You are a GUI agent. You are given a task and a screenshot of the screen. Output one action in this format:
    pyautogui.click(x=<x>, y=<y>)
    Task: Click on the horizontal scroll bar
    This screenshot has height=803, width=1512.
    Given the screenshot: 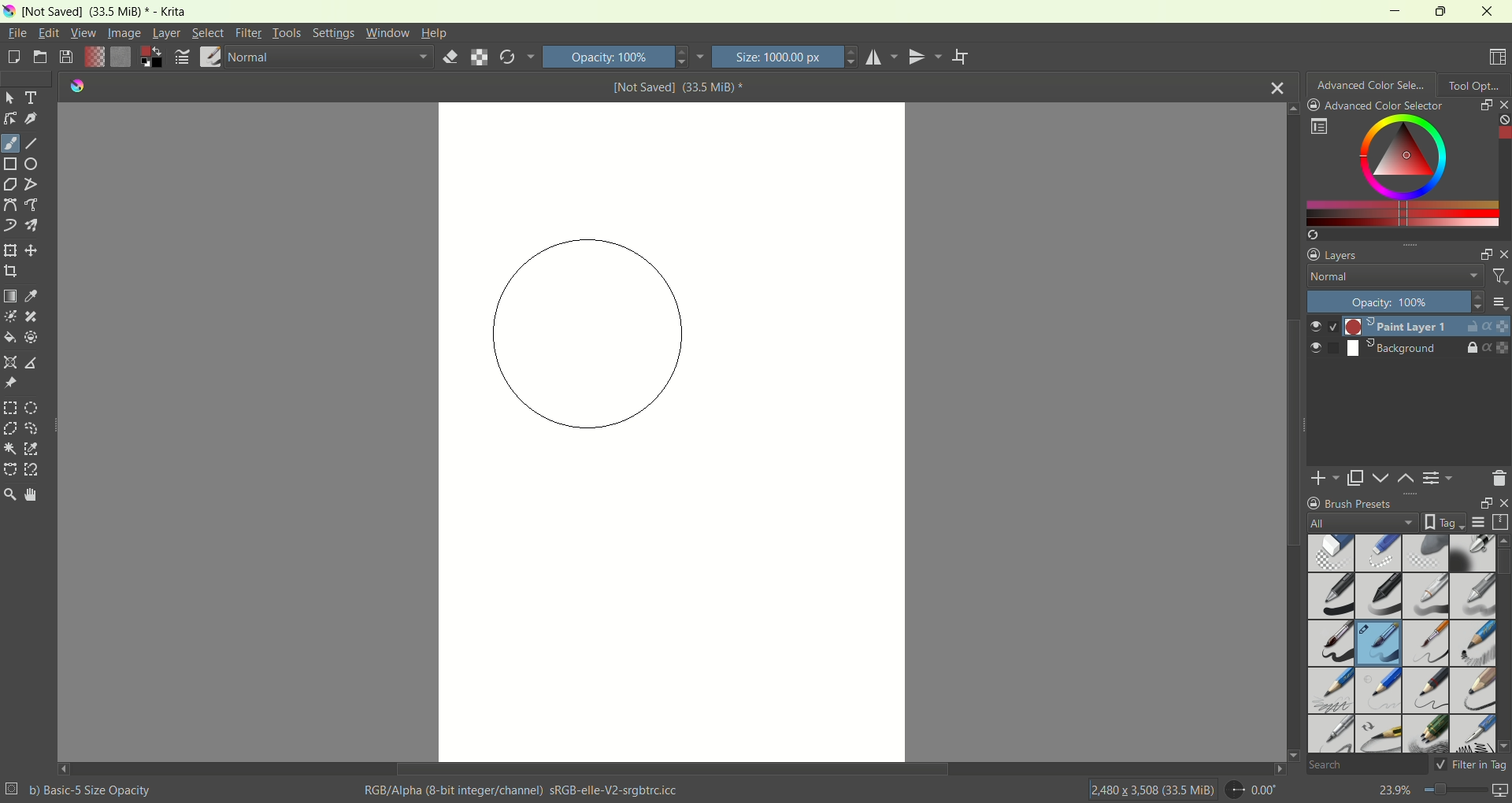 What is the action you would take?
    pyautogui.click(x=672, y=769)
    